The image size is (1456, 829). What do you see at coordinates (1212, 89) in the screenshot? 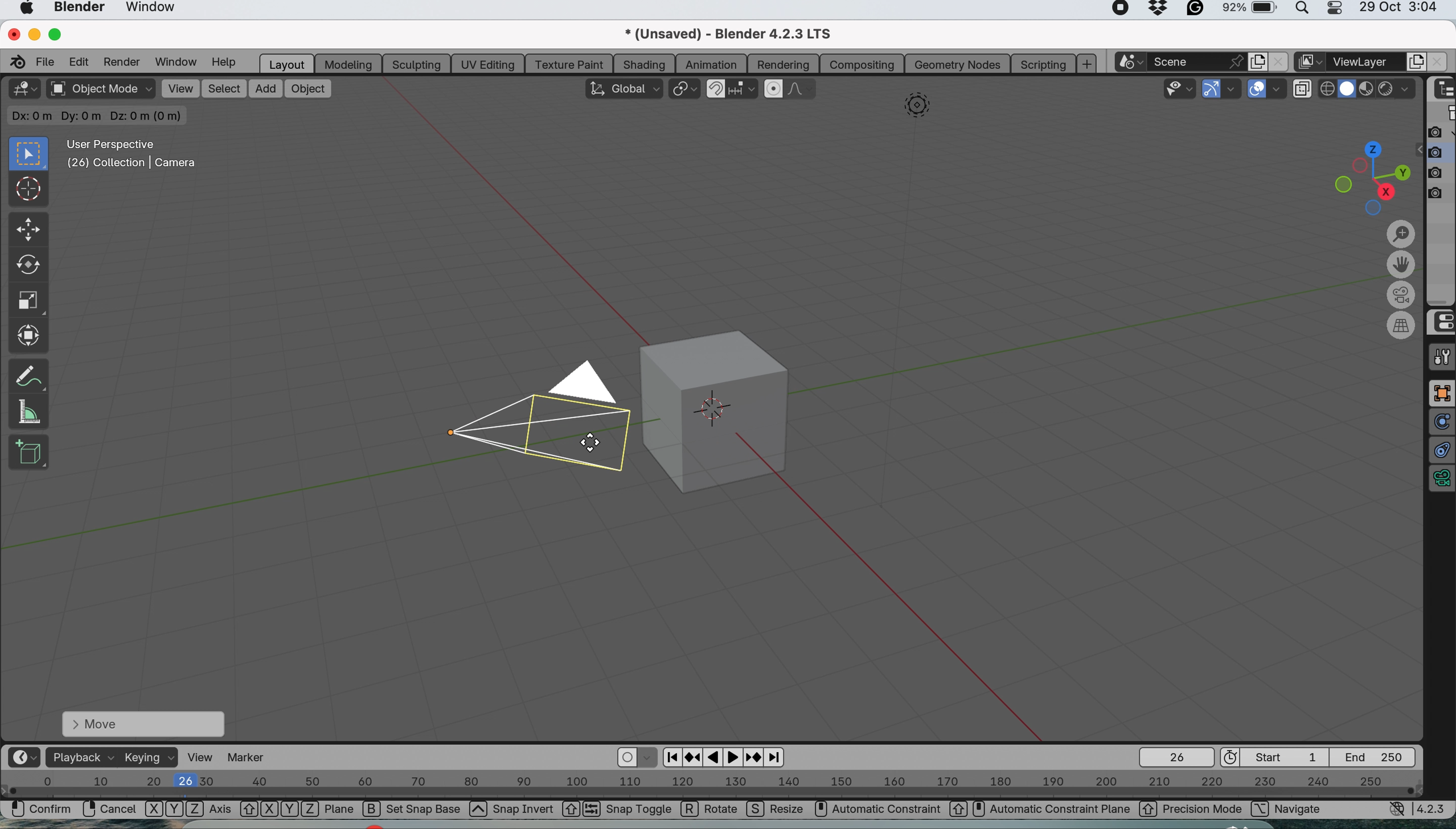
I see `show gizmos` at bounding box center [1212, 89].